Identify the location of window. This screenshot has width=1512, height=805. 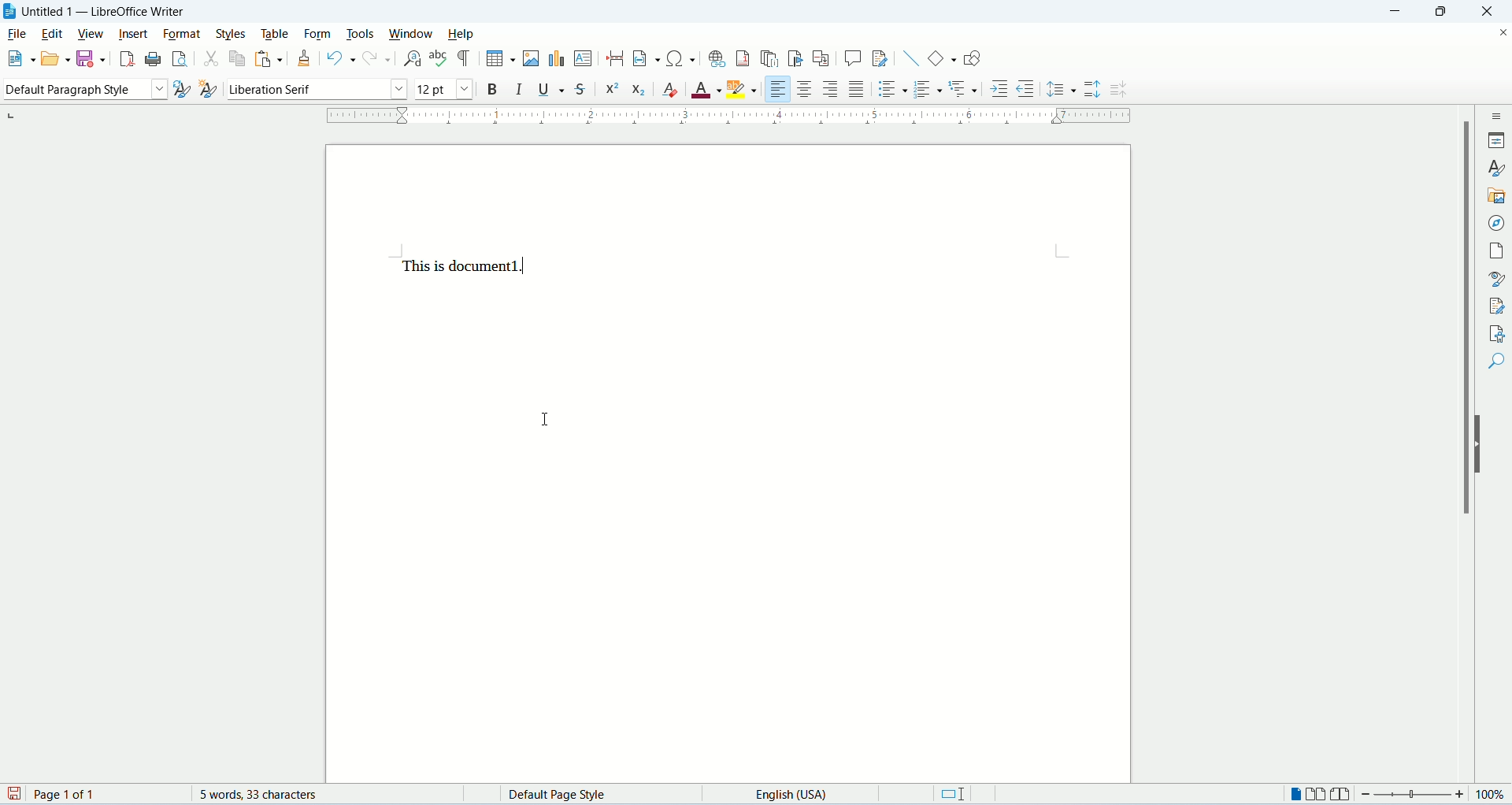
(415, 35).